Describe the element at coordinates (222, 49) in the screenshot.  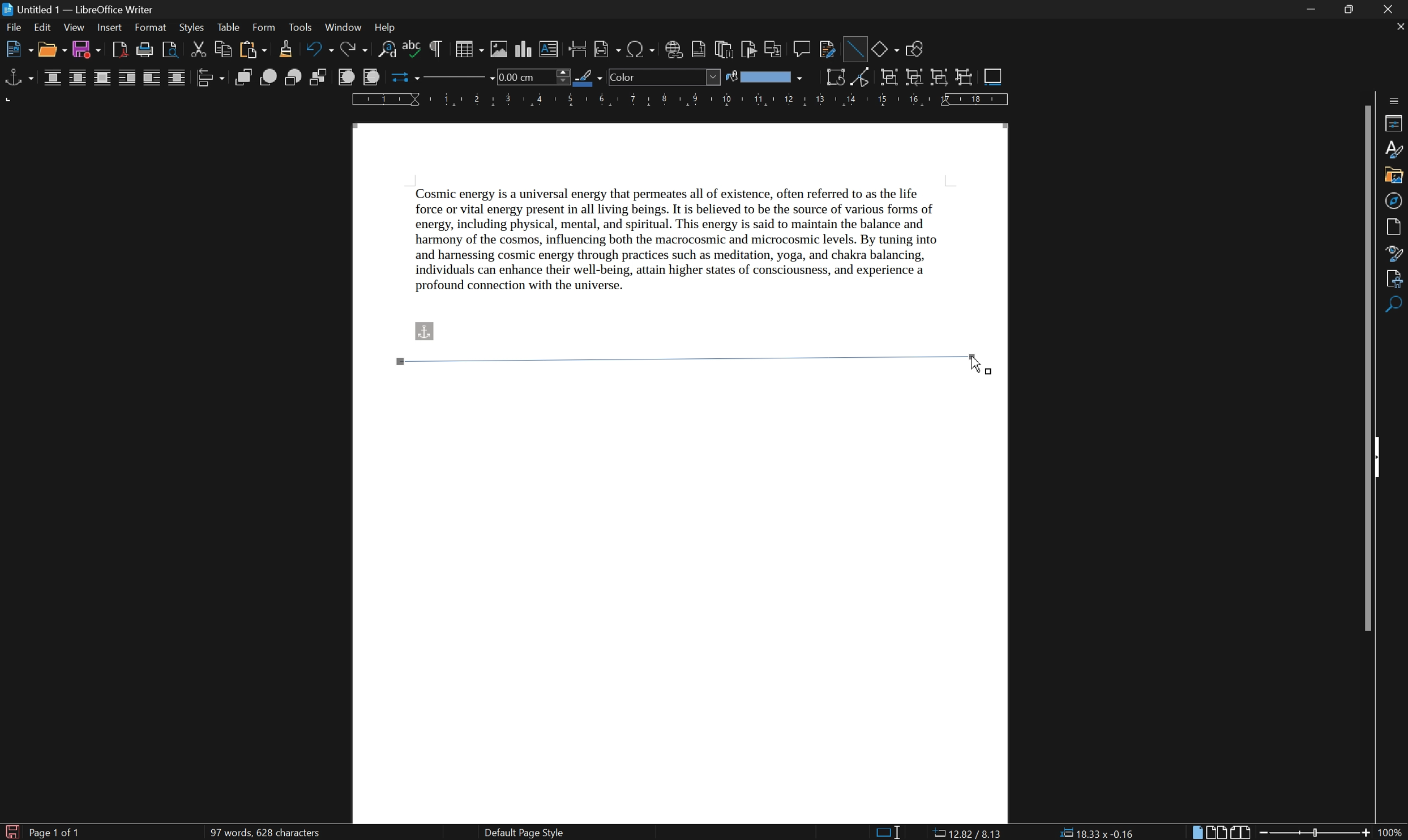
I see `copy` at that location.